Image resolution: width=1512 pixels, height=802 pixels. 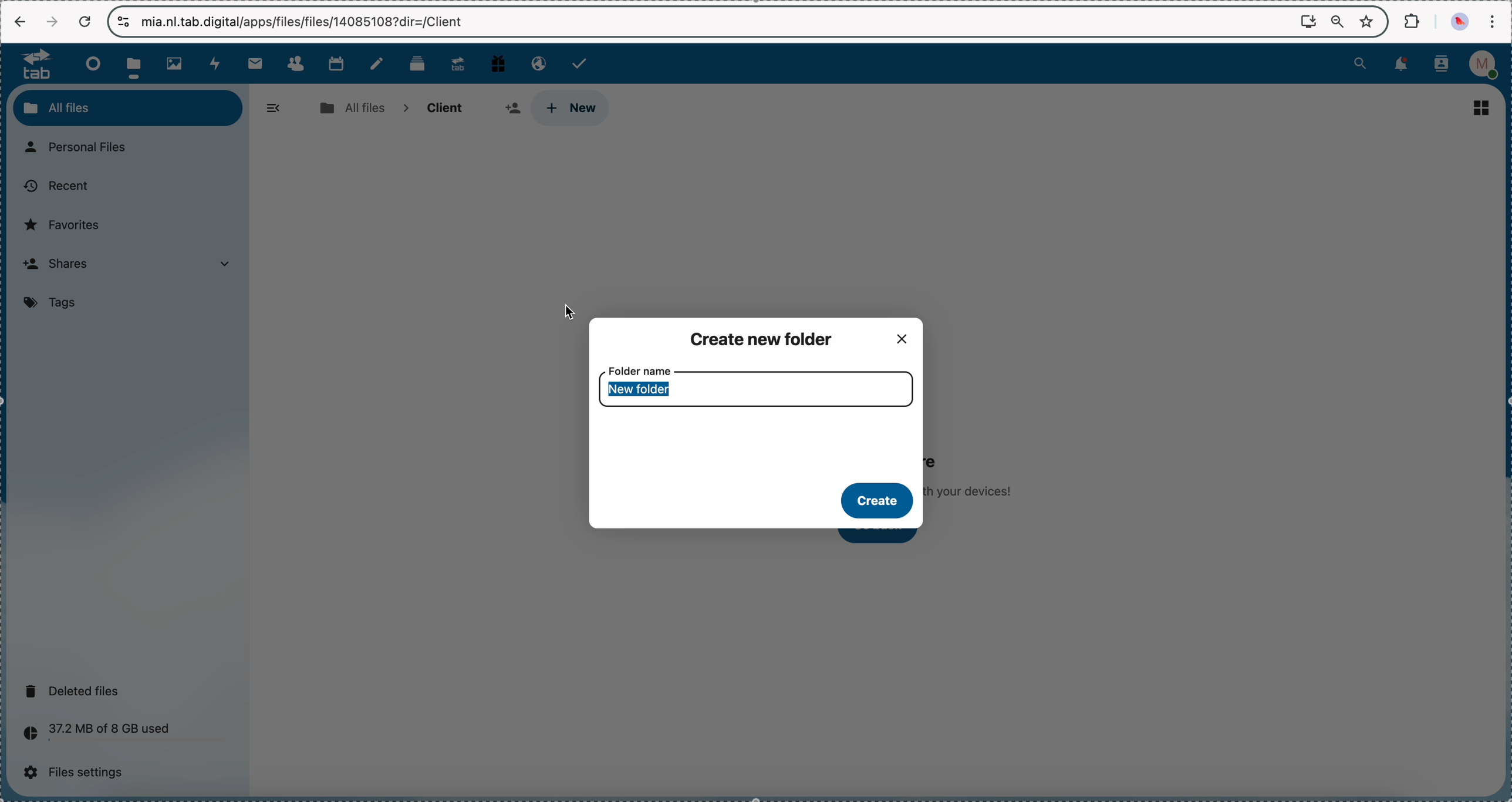 I want to click on files settings, so click(x=79, y=773).